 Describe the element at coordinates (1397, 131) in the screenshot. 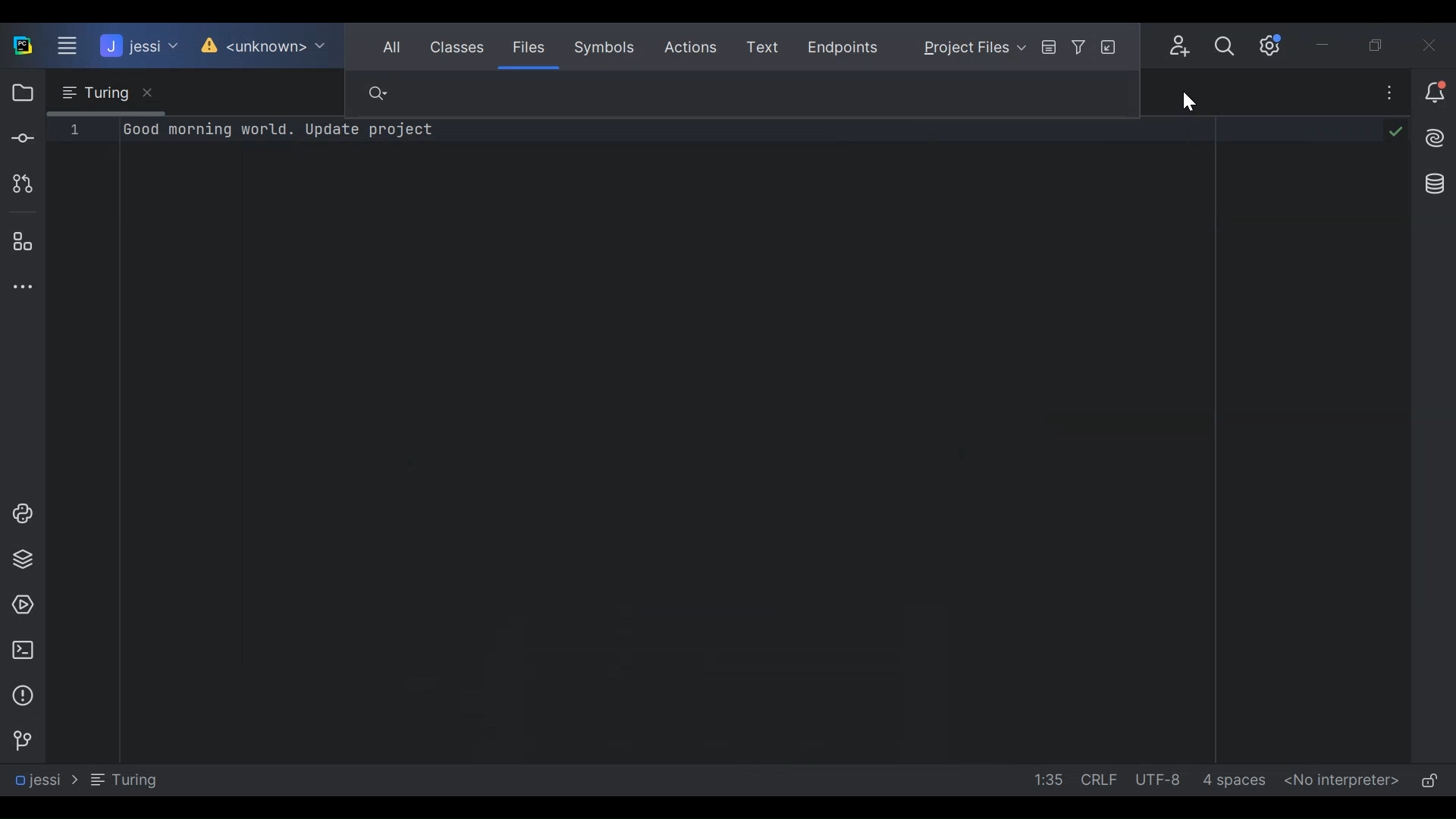

I see `tick` at that location.